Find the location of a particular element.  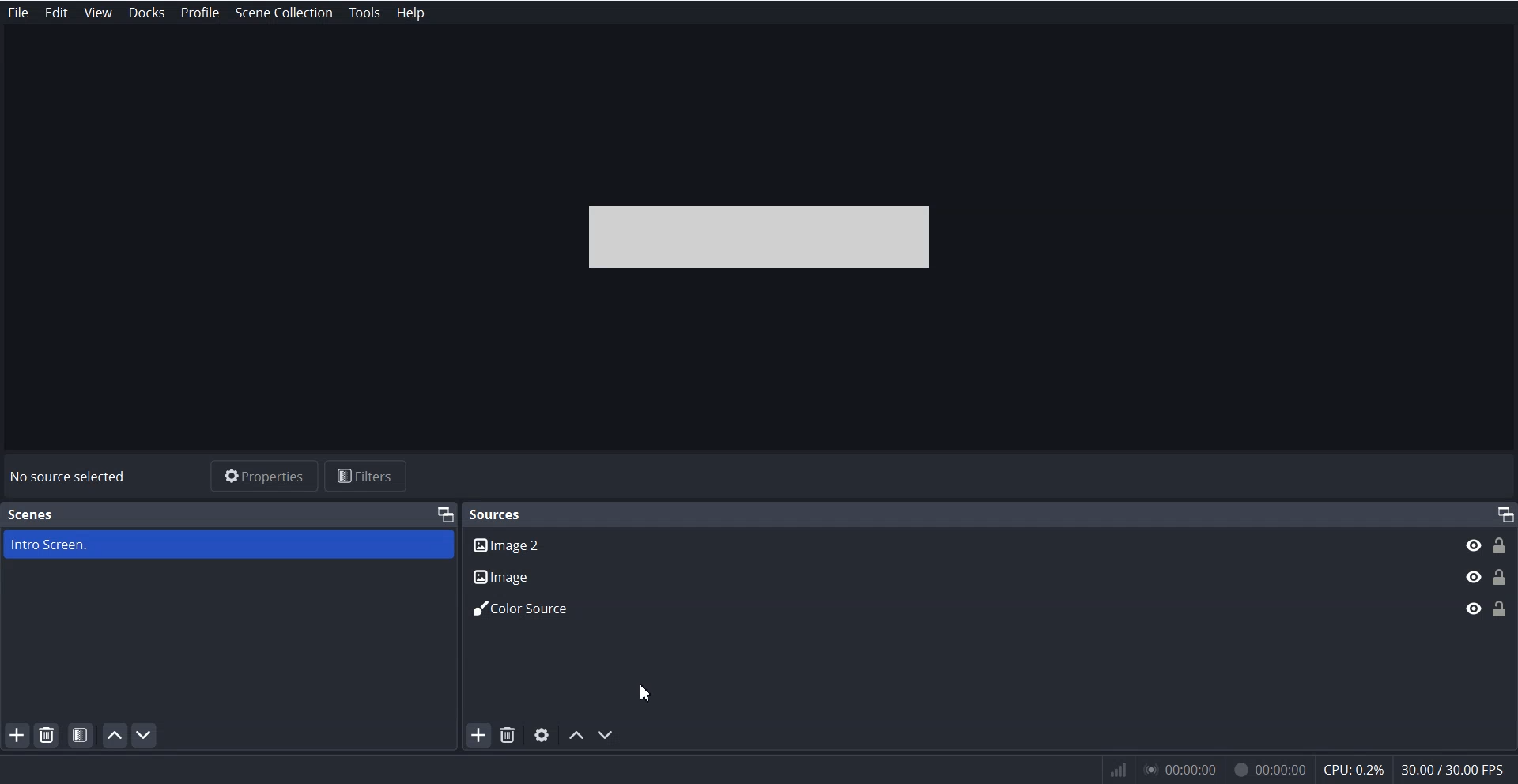

Properties is located at coordinates (263, 475).